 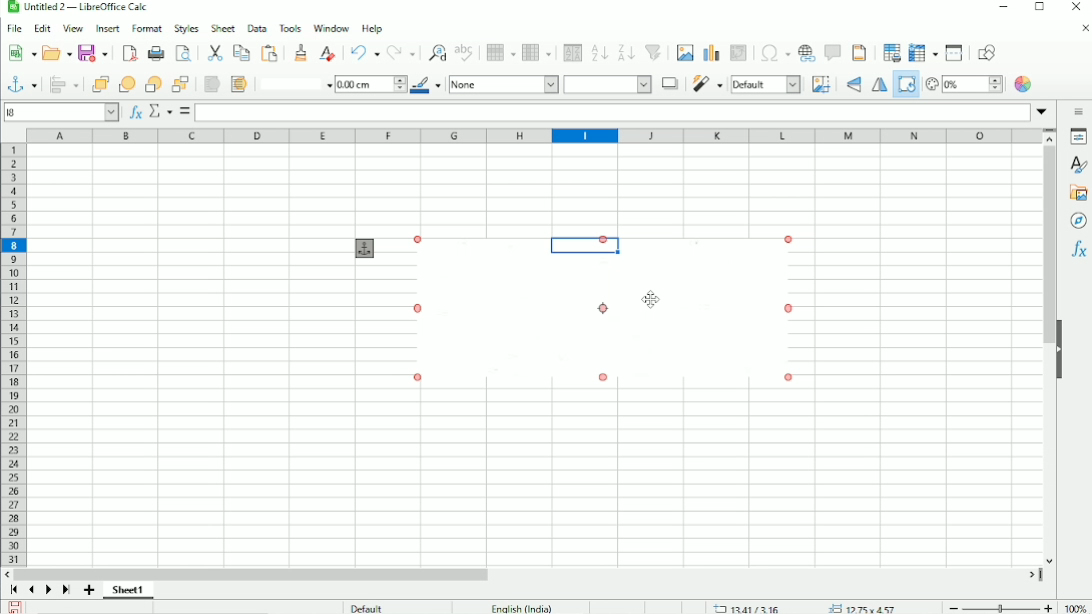 What do you see at coordinates (711, 53) in the screenshot?
I see `Insert chart` at bounding box center [711, 53].